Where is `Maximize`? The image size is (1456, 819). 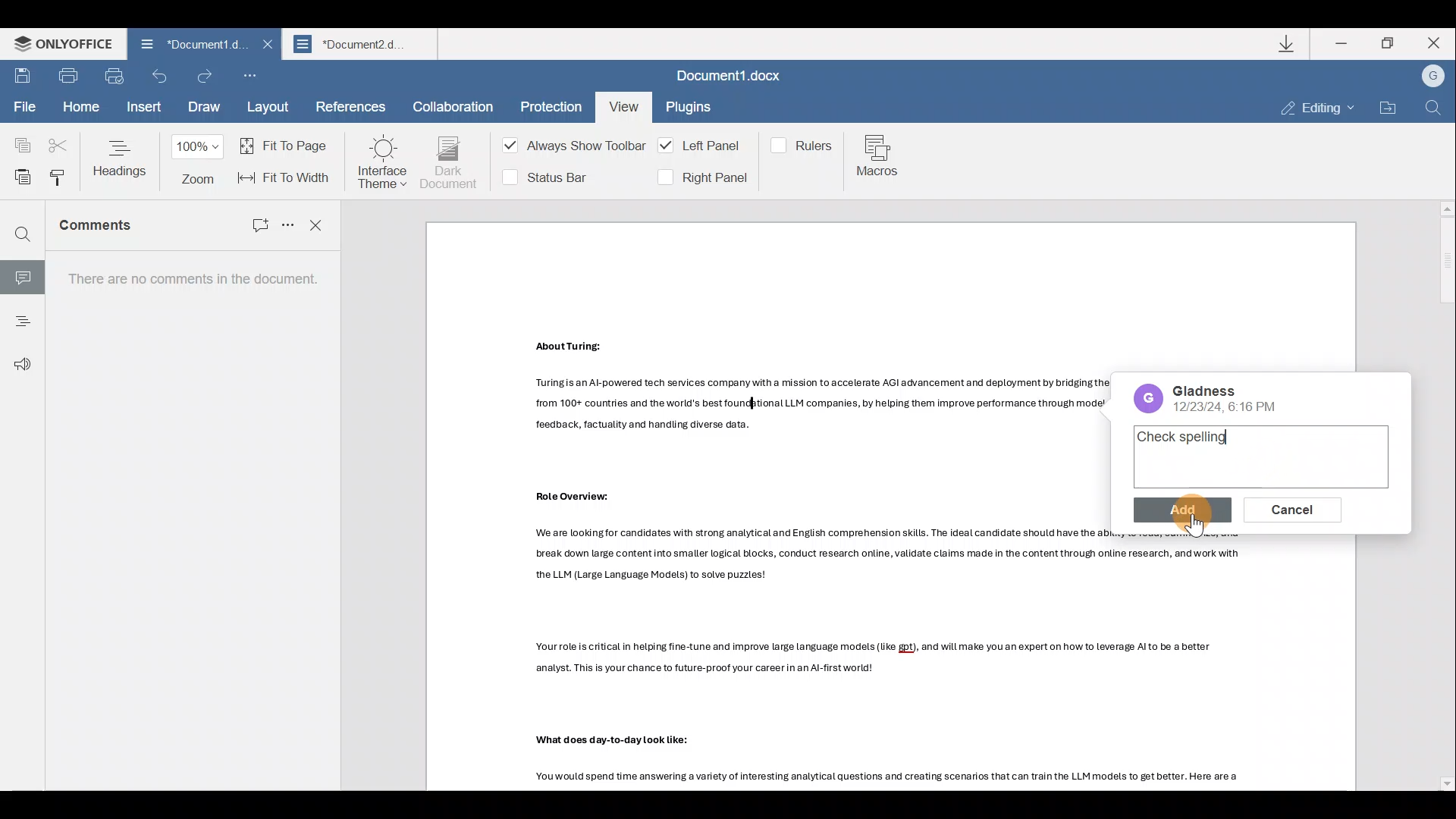 Maximize is located at coordinates (1391, 43).